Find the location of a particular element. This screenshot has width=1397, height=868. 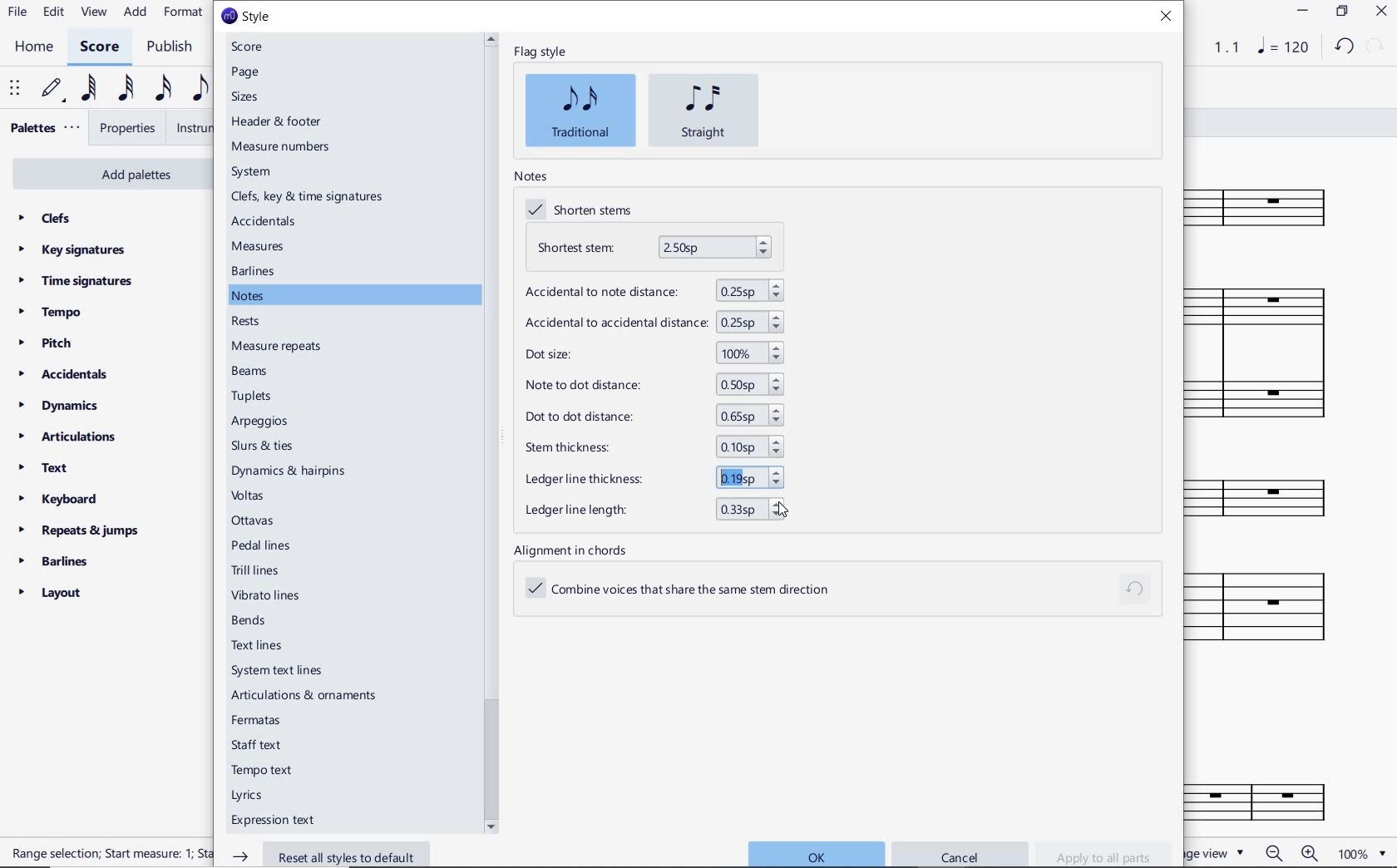

reset to default is located at coordinates (1136, 590).